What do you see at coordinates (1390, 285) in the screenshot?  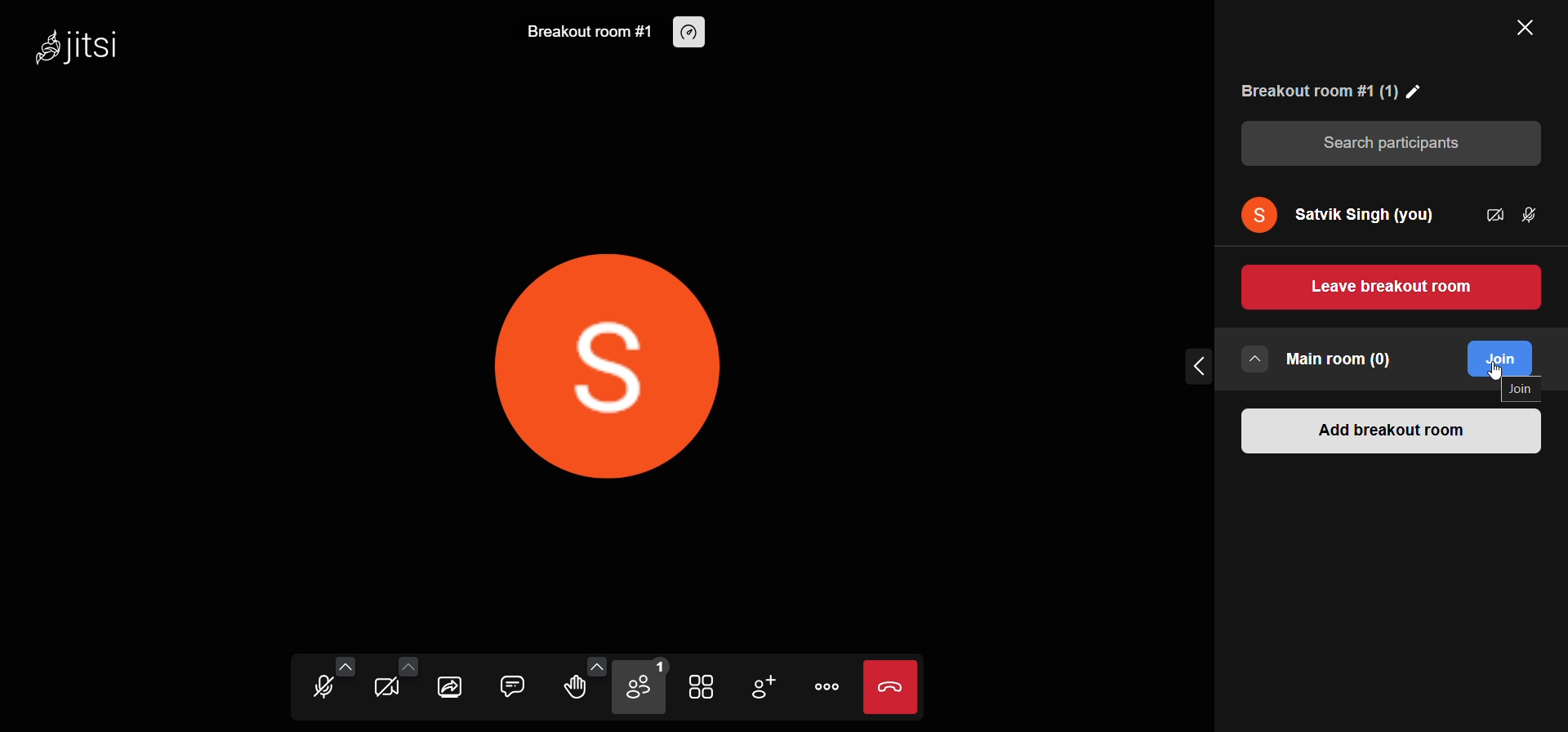 I see `leave breakout room` at bounding box center [1390, 285].